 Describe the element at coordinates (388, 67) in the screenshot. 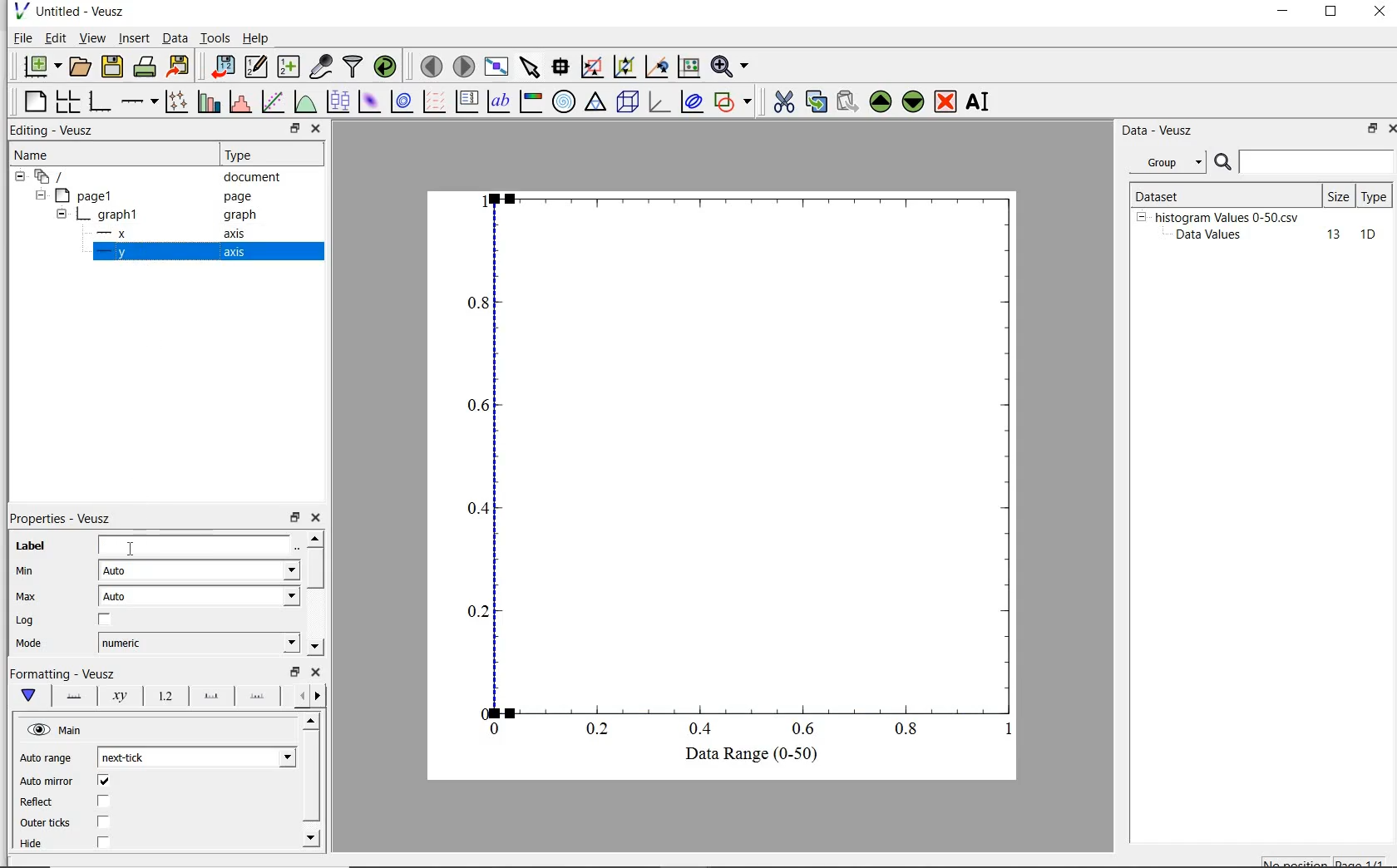

I see `reload linked datasets` at that location.